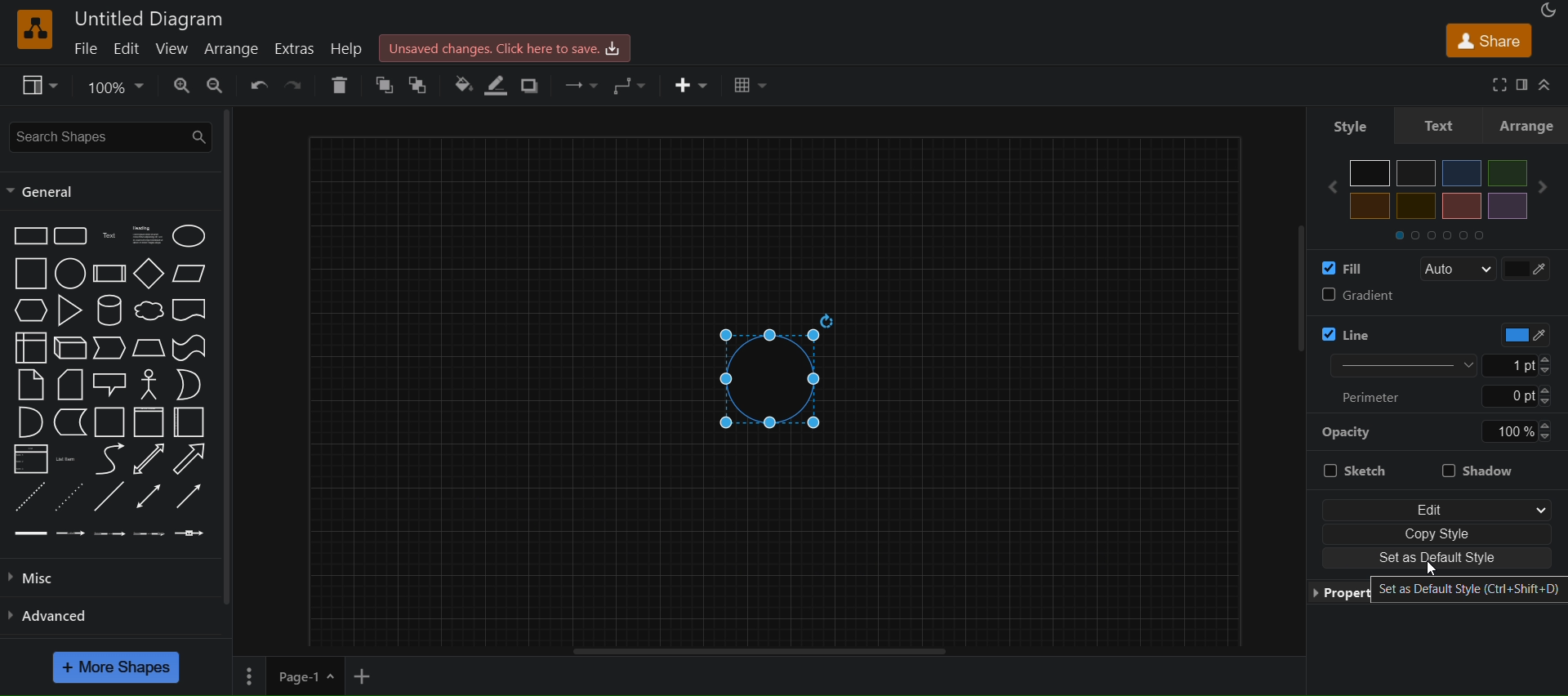  Describe the element at coordinates (1392, 364) in the screenshot. I see `line thickness` at that location.